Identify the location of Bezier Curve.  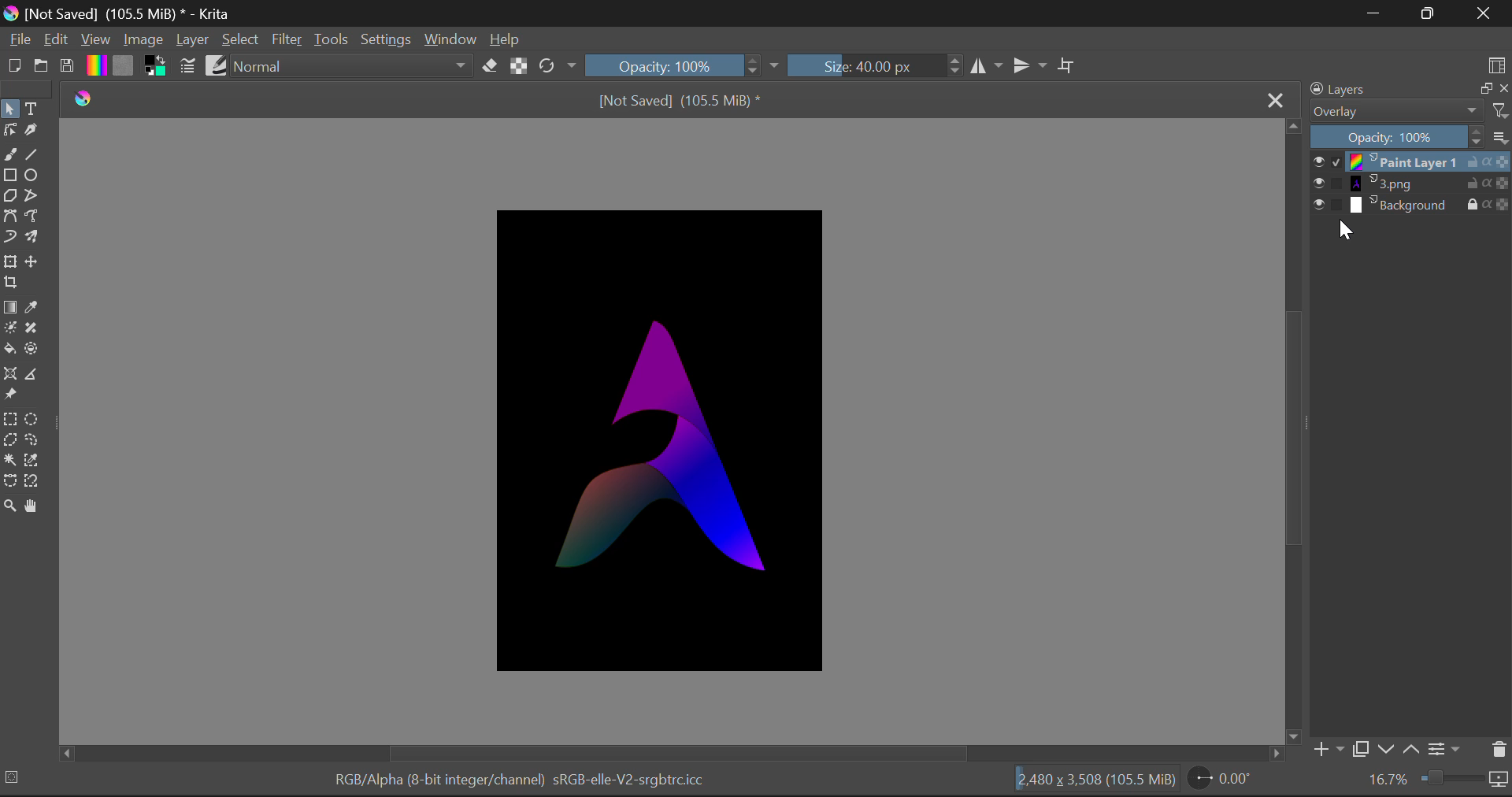
(10, 216).